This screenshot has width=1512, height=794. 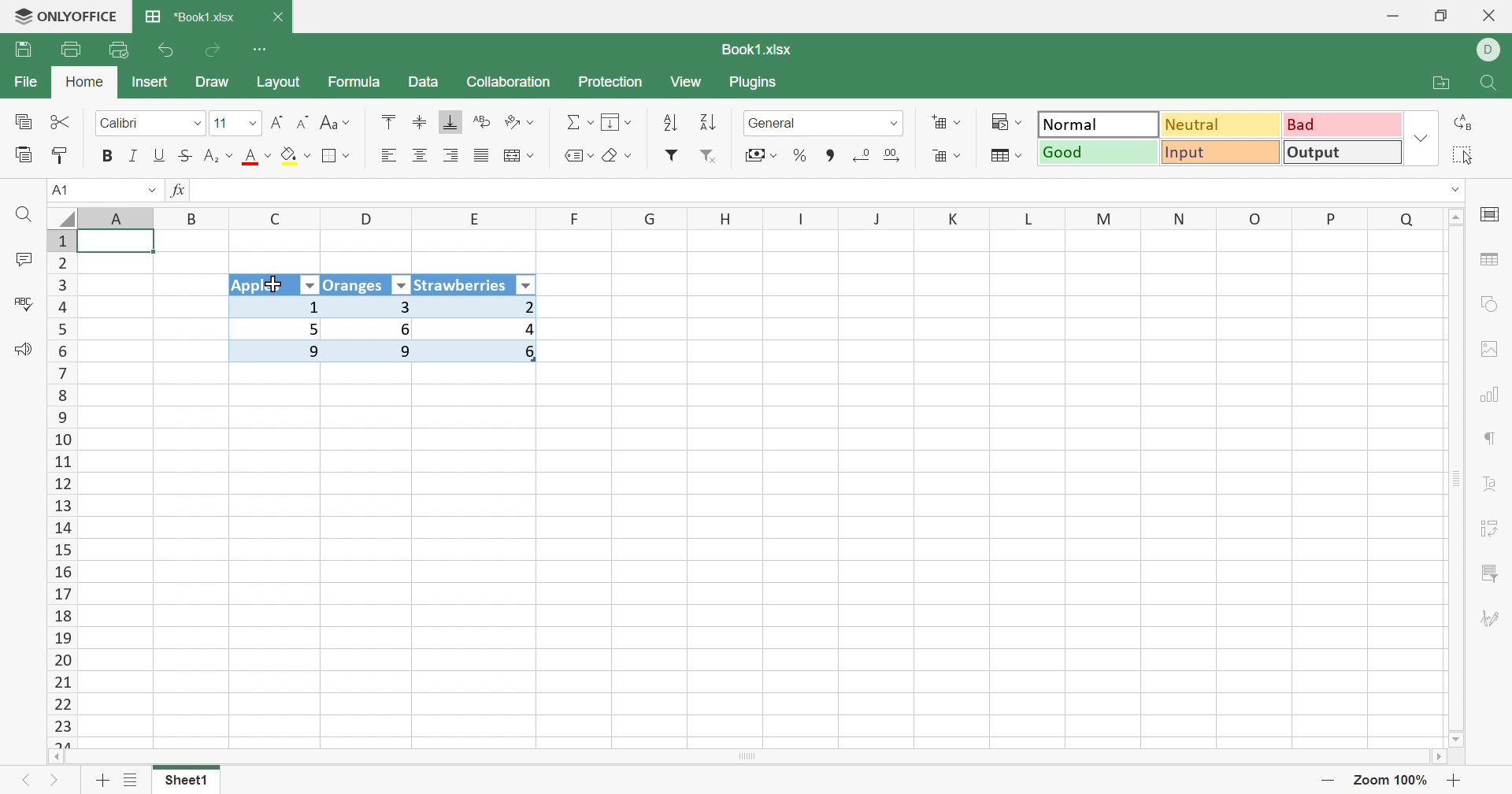 I want to click on Add sheet, so click(x=102, y=780).